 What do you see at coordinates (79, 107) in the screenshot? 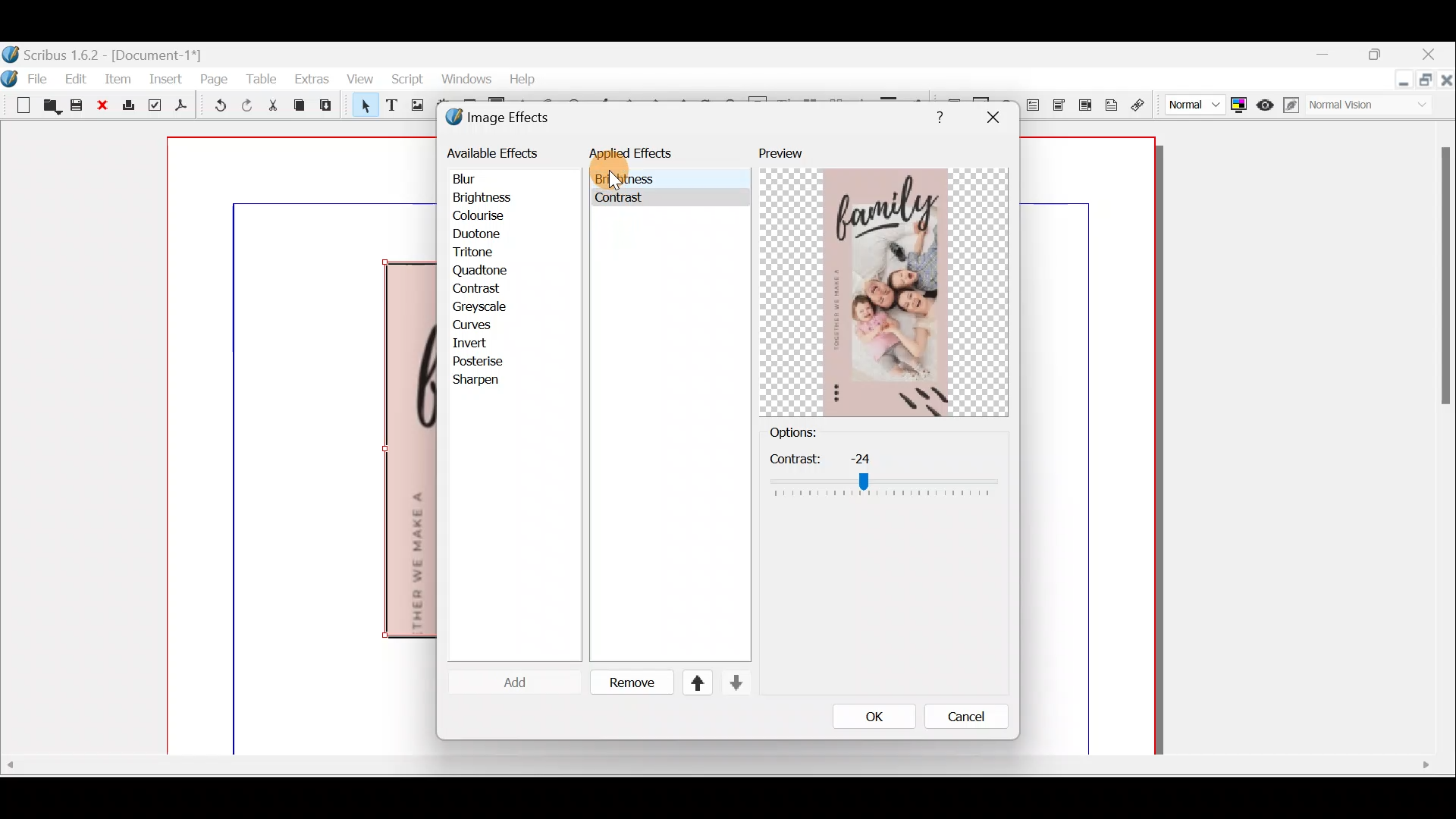
I see `Save` at bounding box center [79, 107].